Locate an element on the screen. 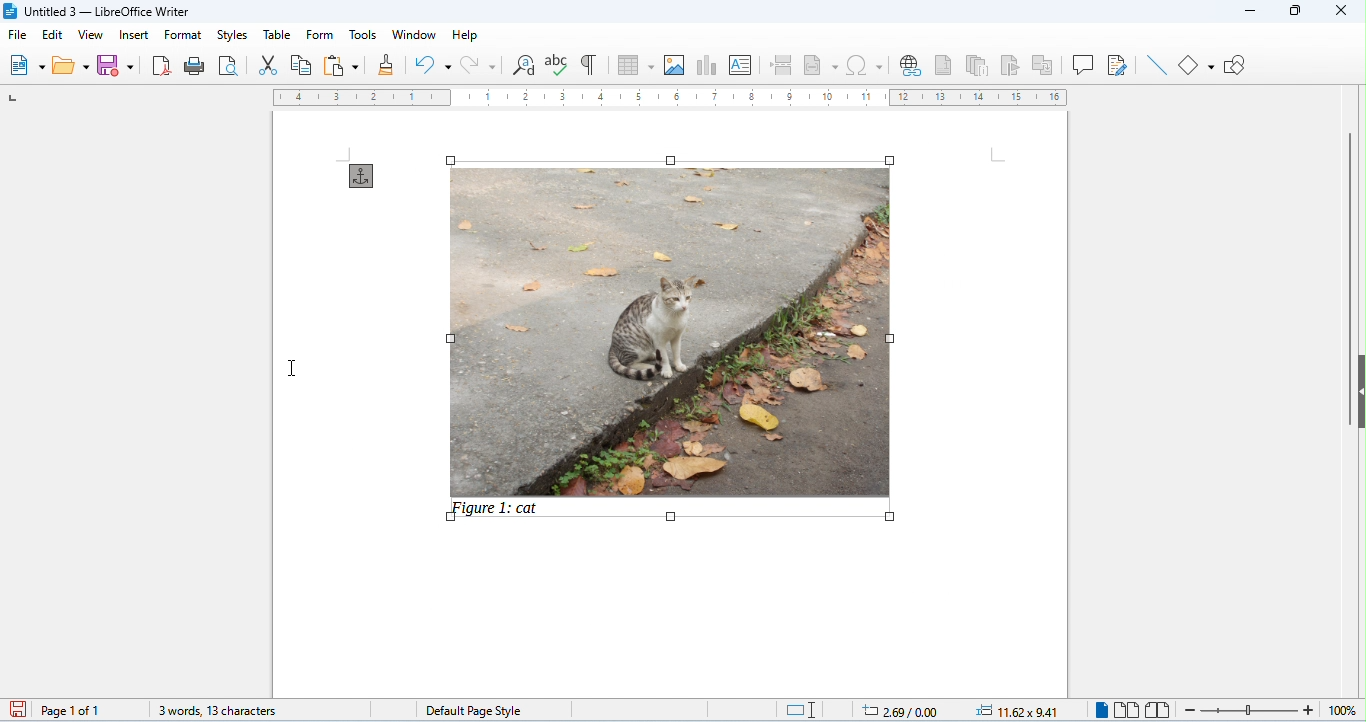 The width and height of the screenshot is (1366, 722). toggle formatting marks is located at coordinates (590, 64).